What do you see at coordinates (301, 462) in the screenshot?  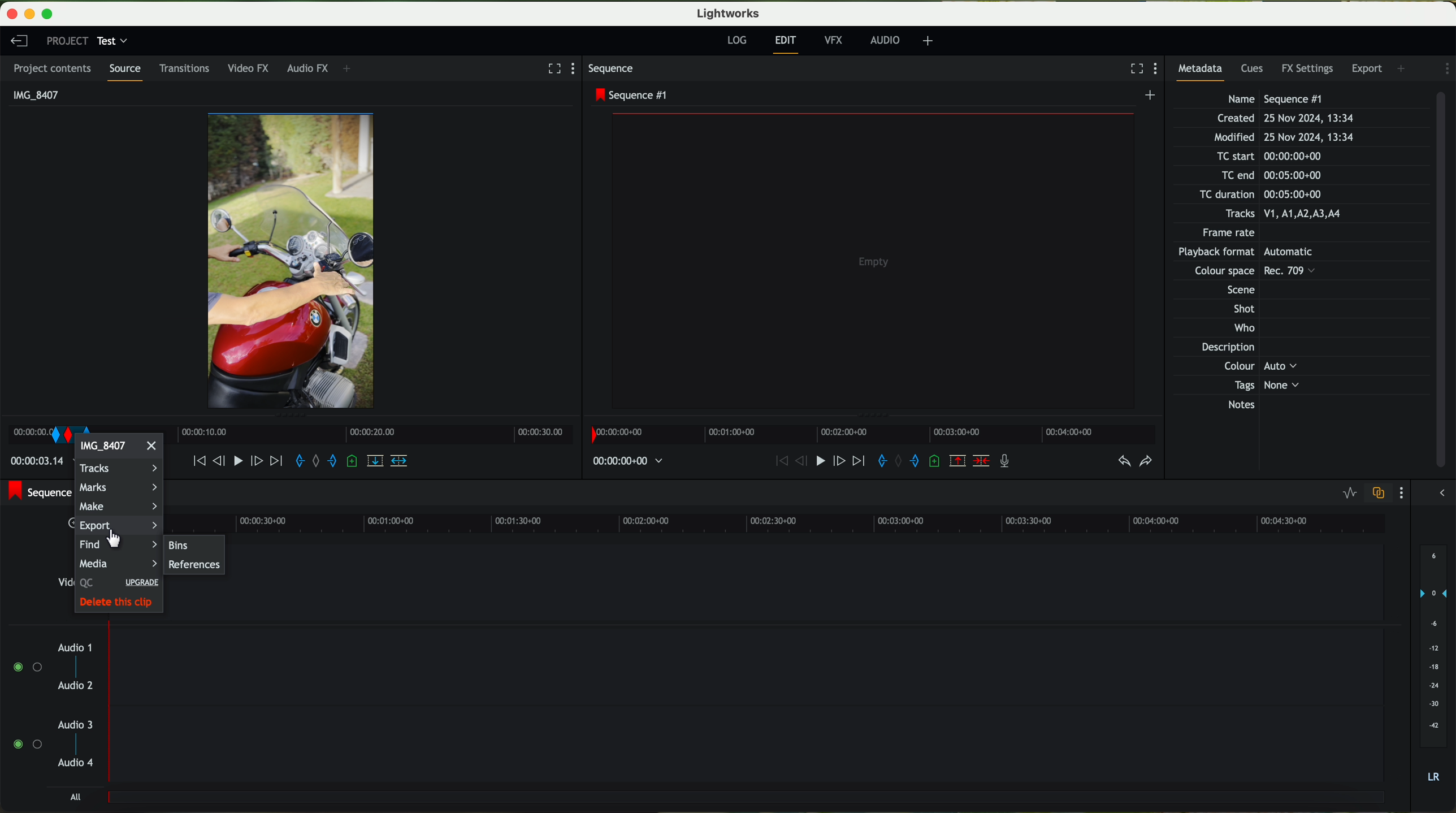 I see `add an in mark` at bounding box center [301, 462].